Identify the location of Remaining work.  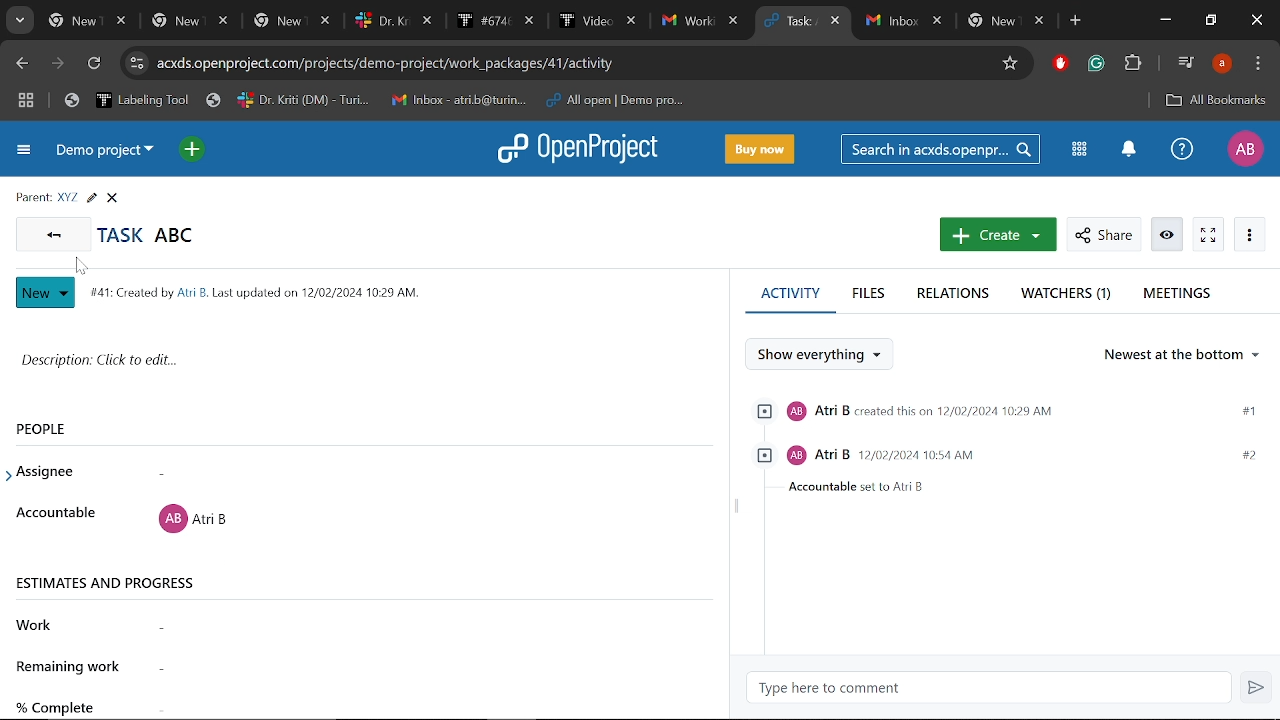
(319, 657).